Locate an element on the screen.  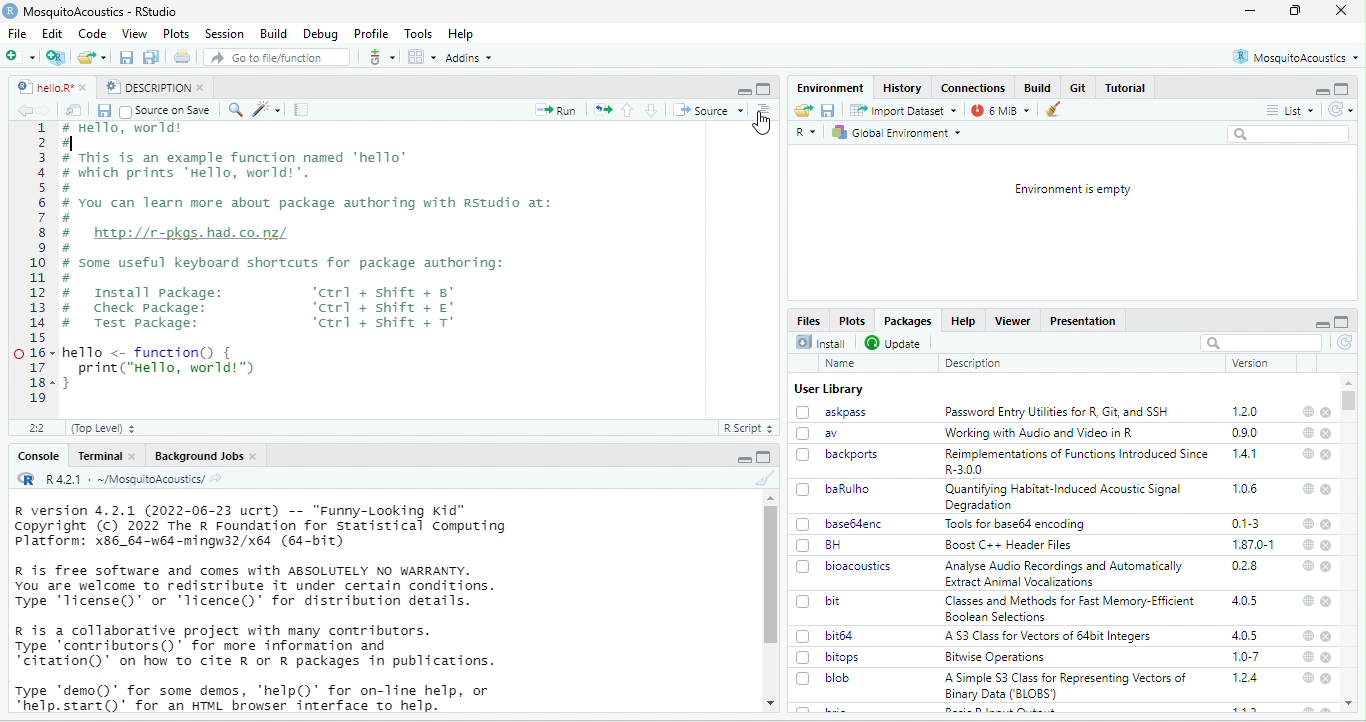
refresh is located at coordinates (1345, 343).